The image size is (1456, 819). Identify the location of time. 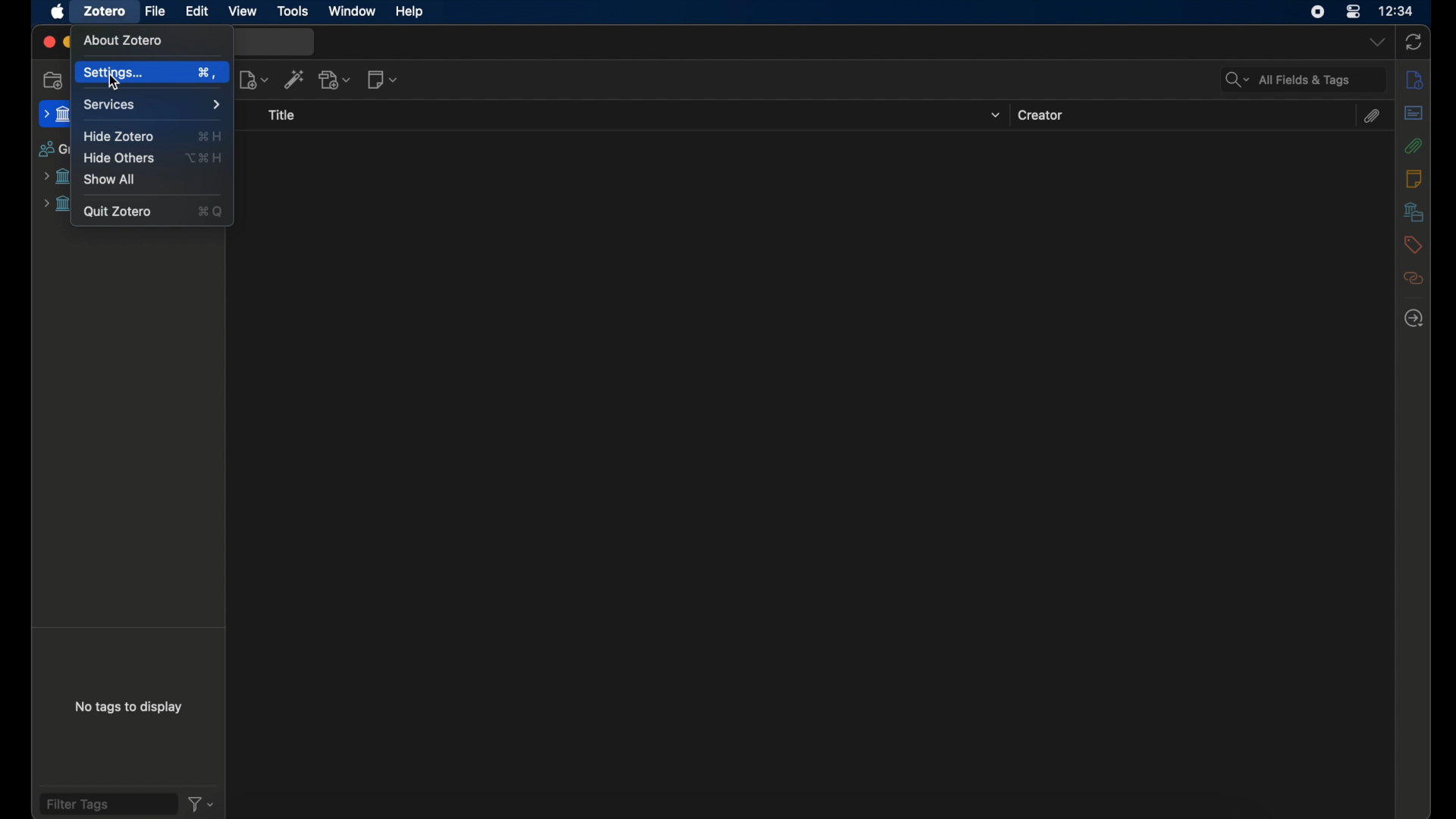
(1397, 11).